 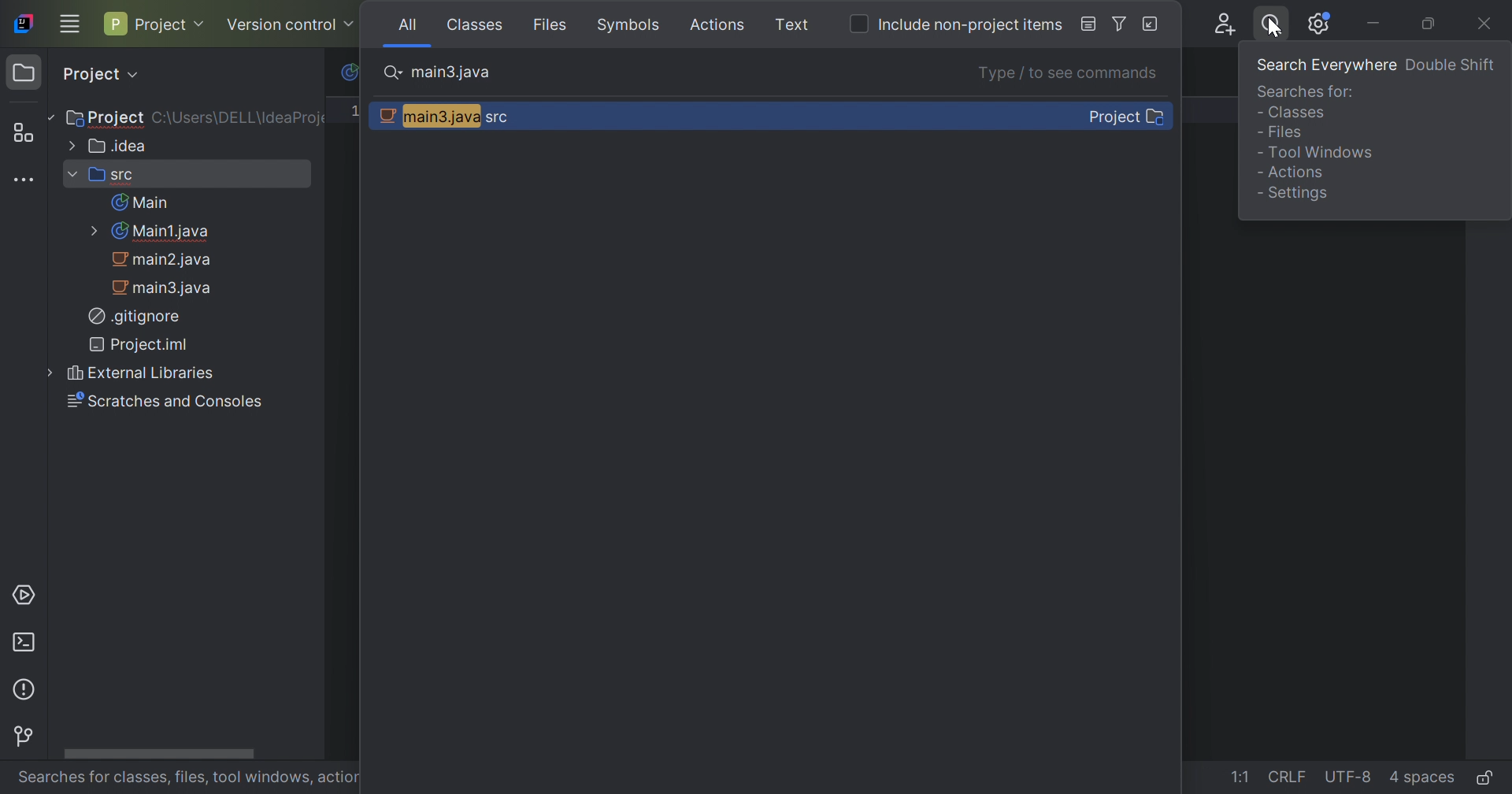 What do you see at coordinates (347, 74) in the screenshot?
I see `logo` at bounding box center [347, 74].